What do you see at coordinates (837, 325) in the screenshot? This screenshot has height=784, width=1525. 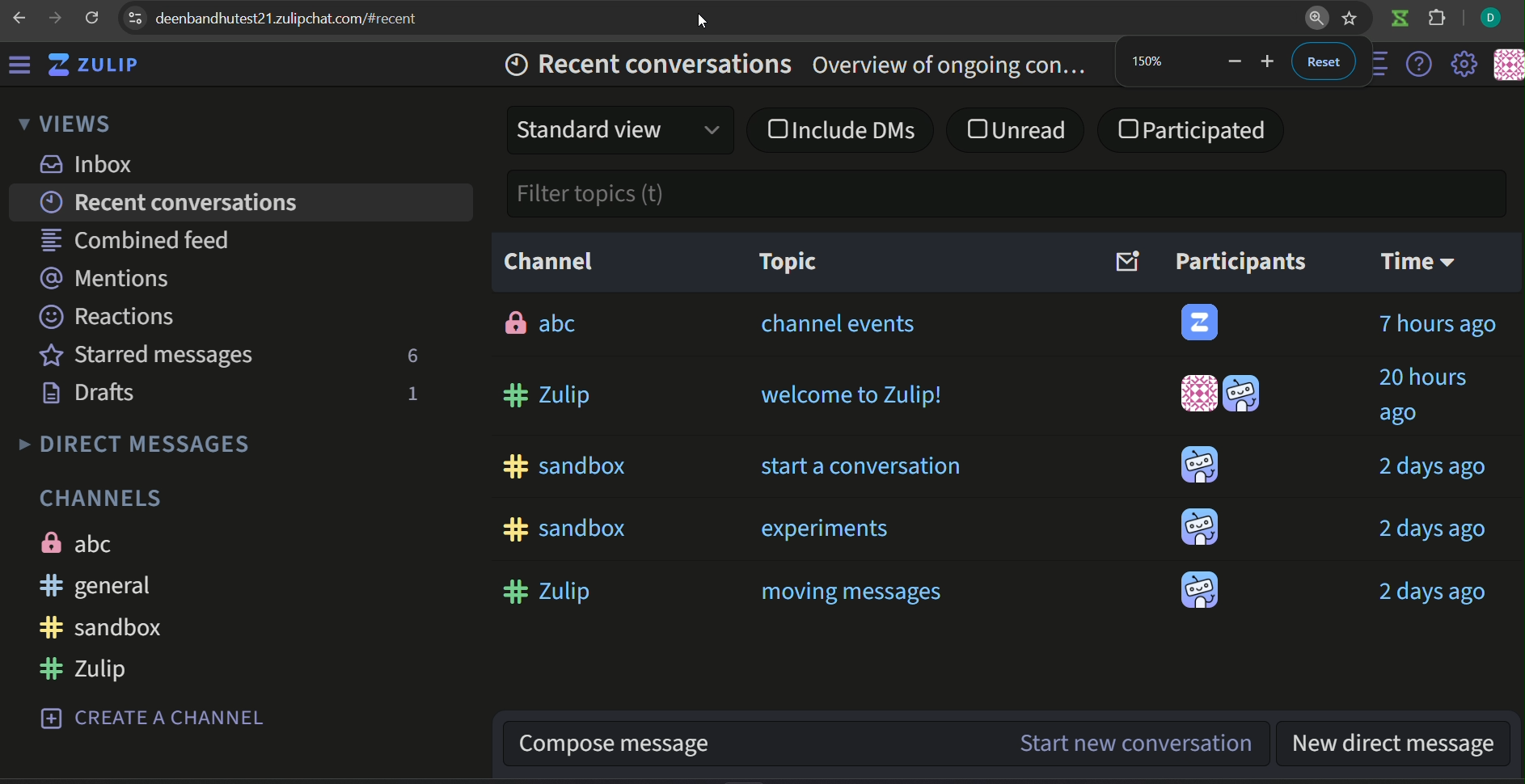 I see `channel events` at bounding box center [837, 325].